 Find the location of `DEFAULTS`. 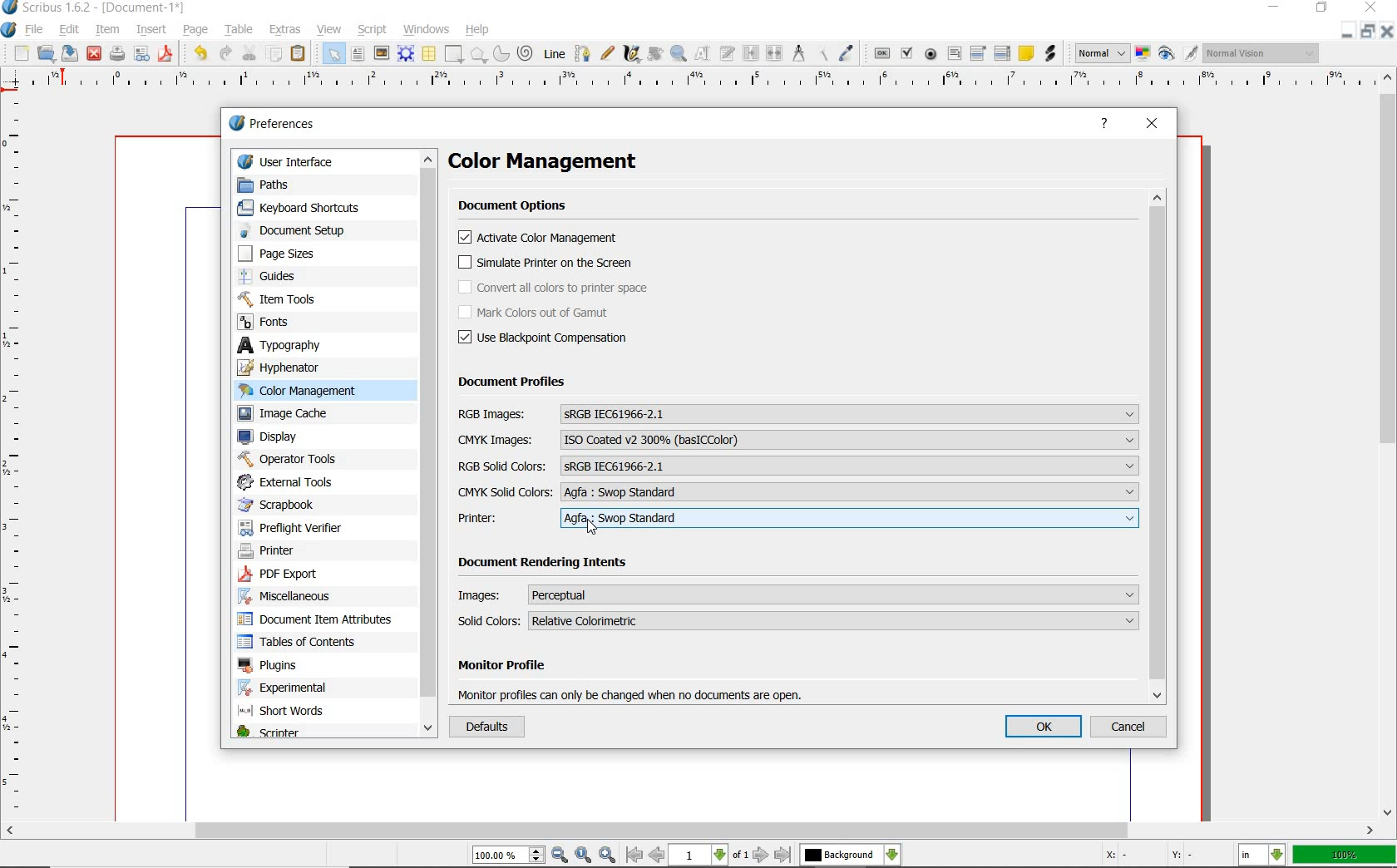

DEFAULTS is located at coordinates (484, 727).